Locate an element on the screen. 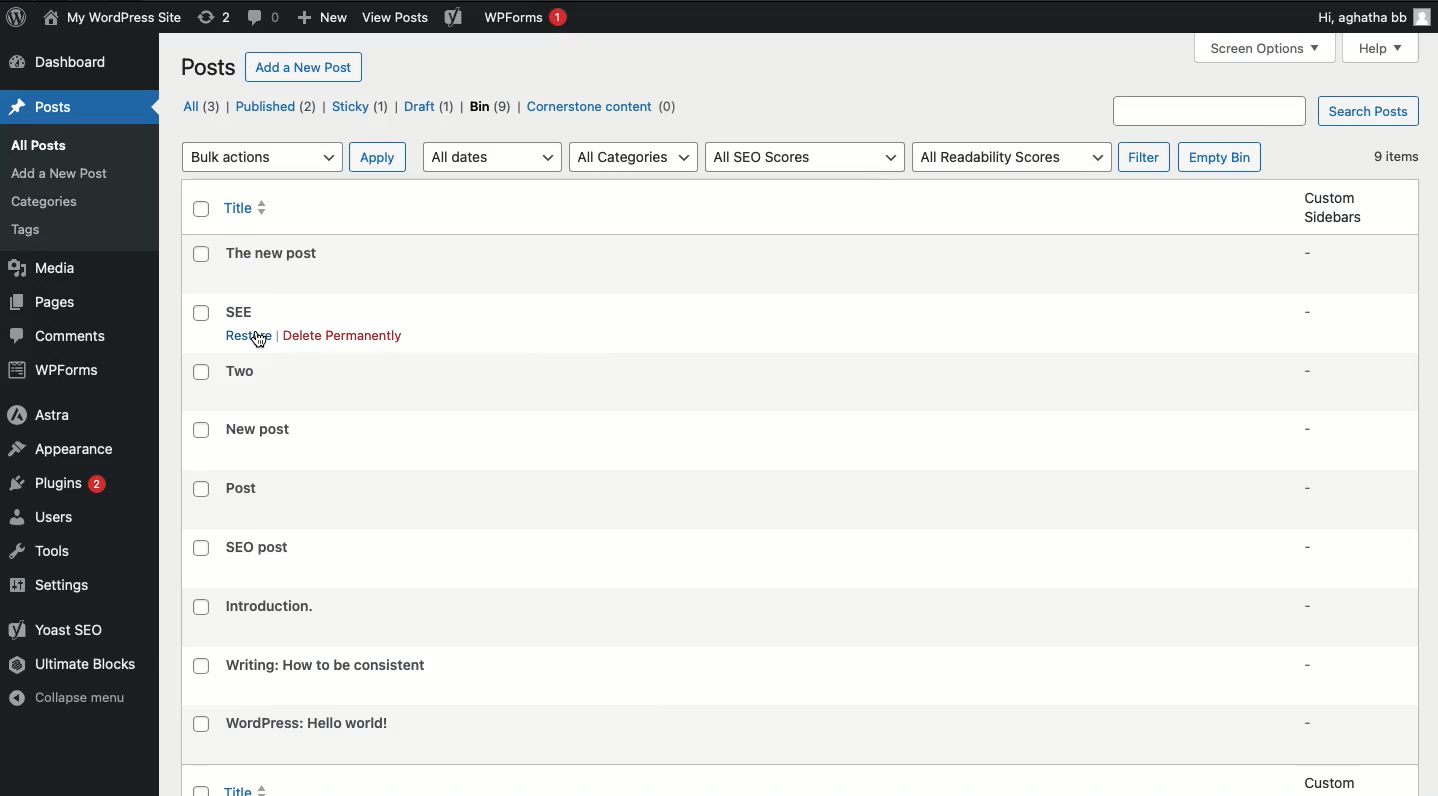 This screenshot has height=796, width=1438. add Post is located at coordinates (60, 172).